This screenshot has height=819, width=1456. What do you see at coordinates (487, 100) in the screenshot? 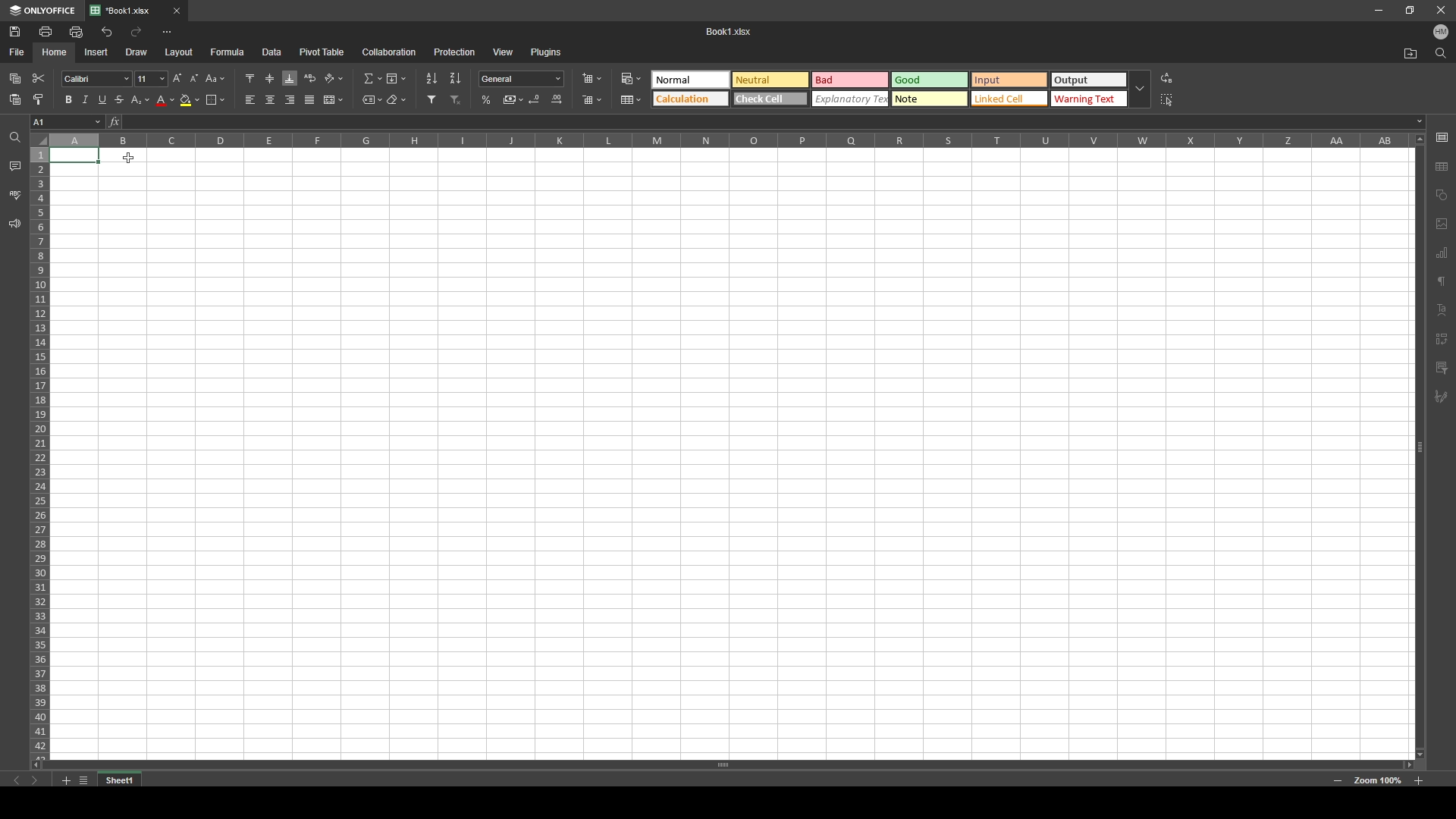
I see `percentage style` at bounding box center [487, 100].